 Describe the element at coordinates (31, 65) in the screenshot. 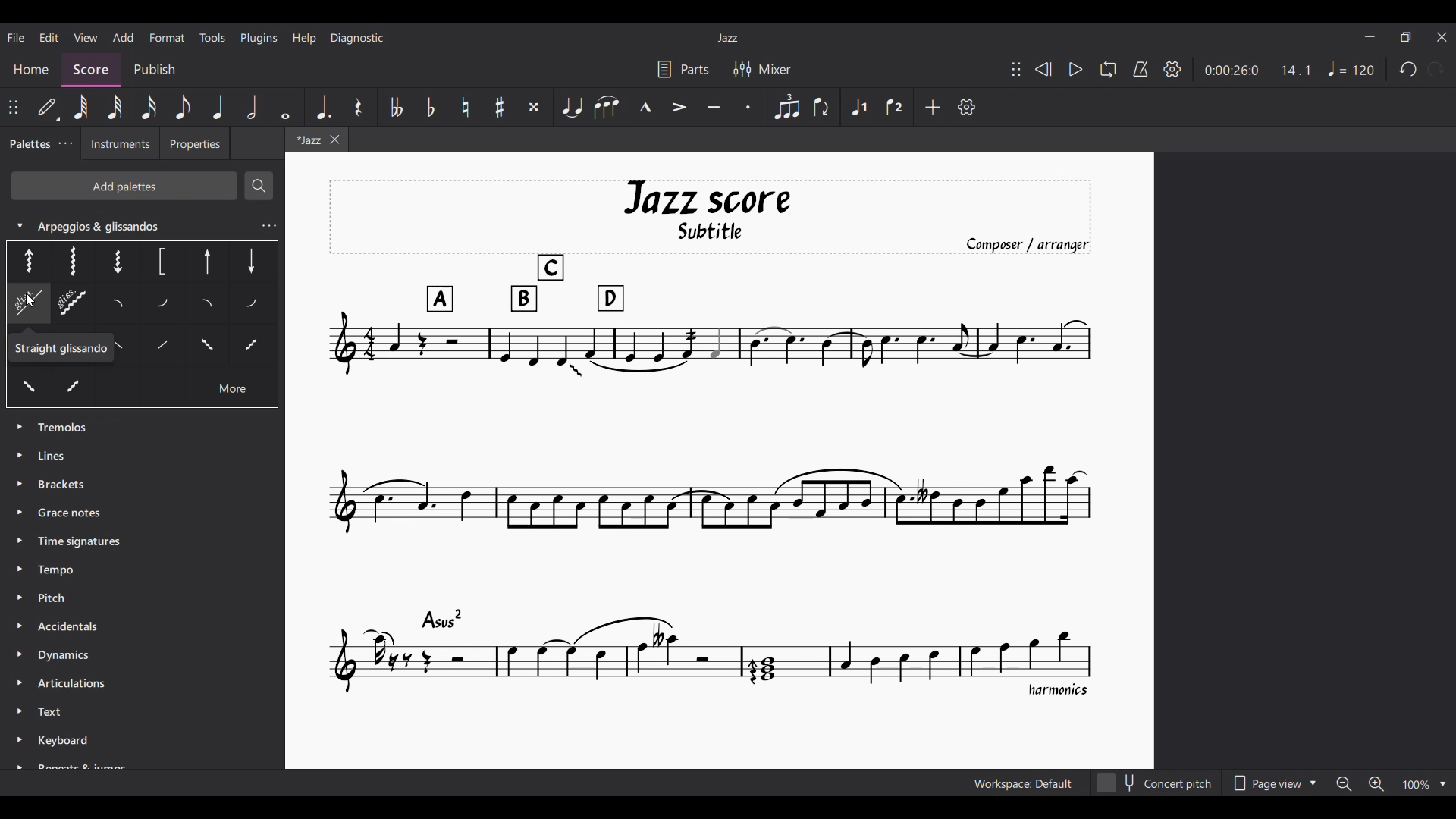

I see `Home` at that location.